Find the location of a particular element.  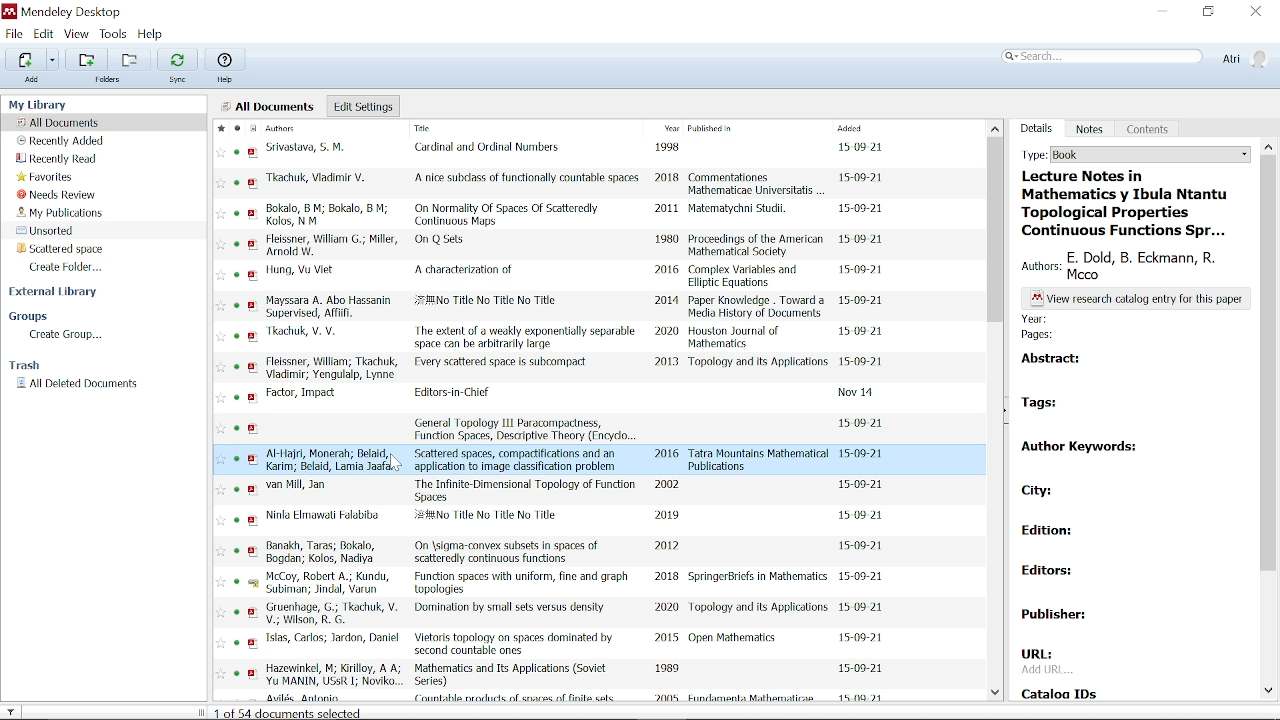

Mendeley desktop is located at coordinates (61, 12).